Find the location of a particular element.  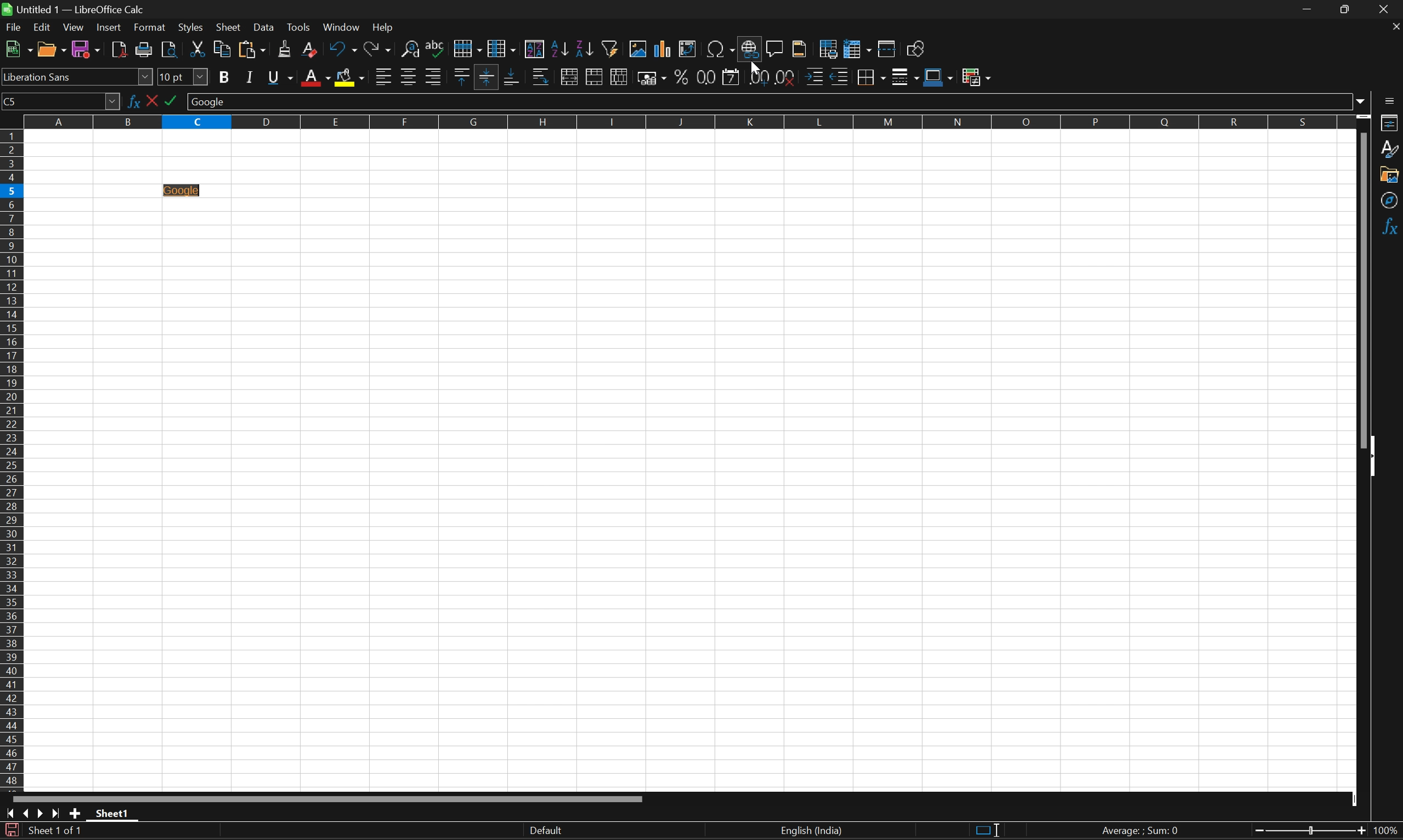

Scroll to previous sheet is located at coordinates (27, 813).